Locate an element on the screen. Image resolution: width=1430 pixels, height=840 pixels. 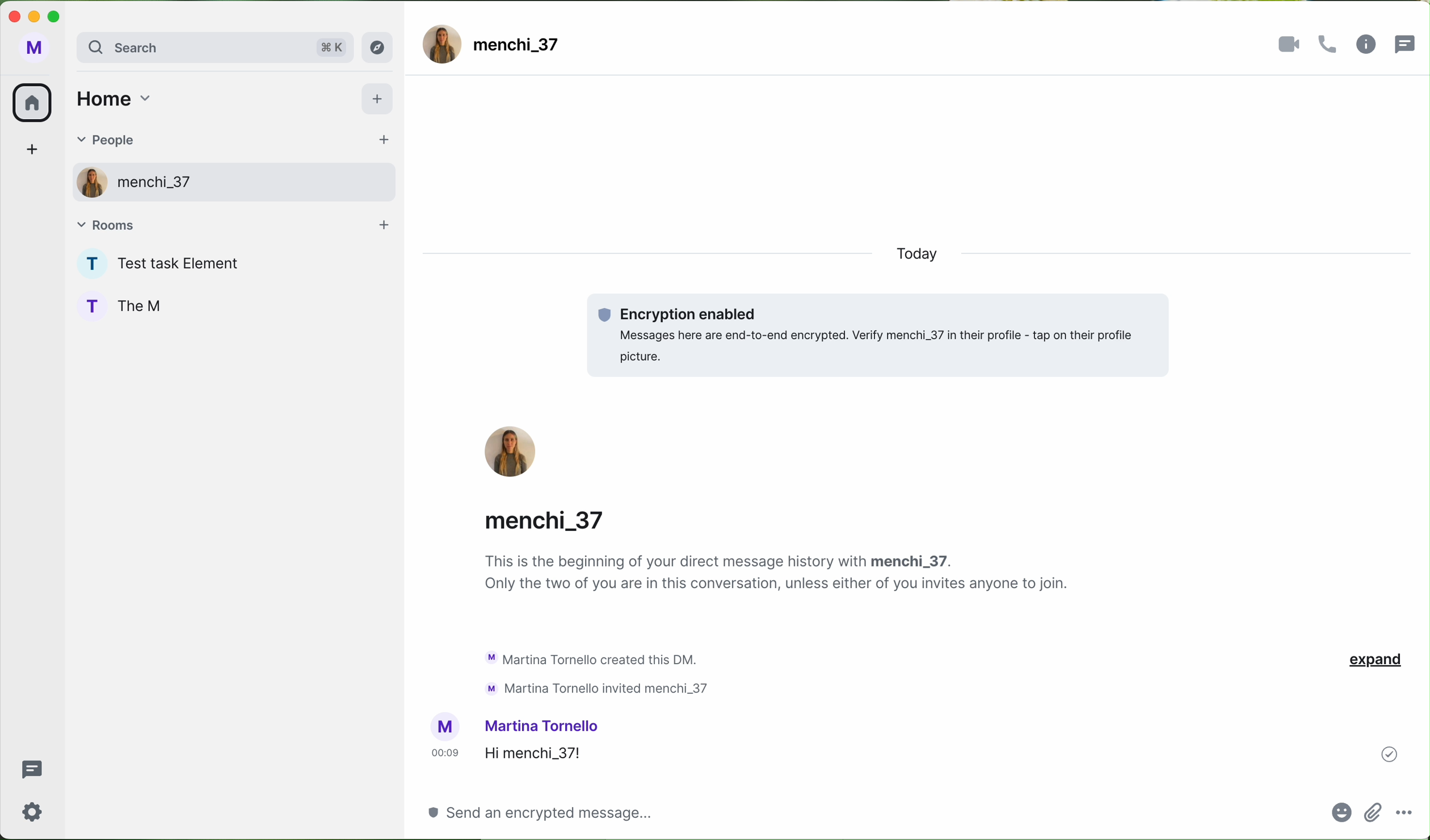
videocall is located at coordinates (1290, 44).